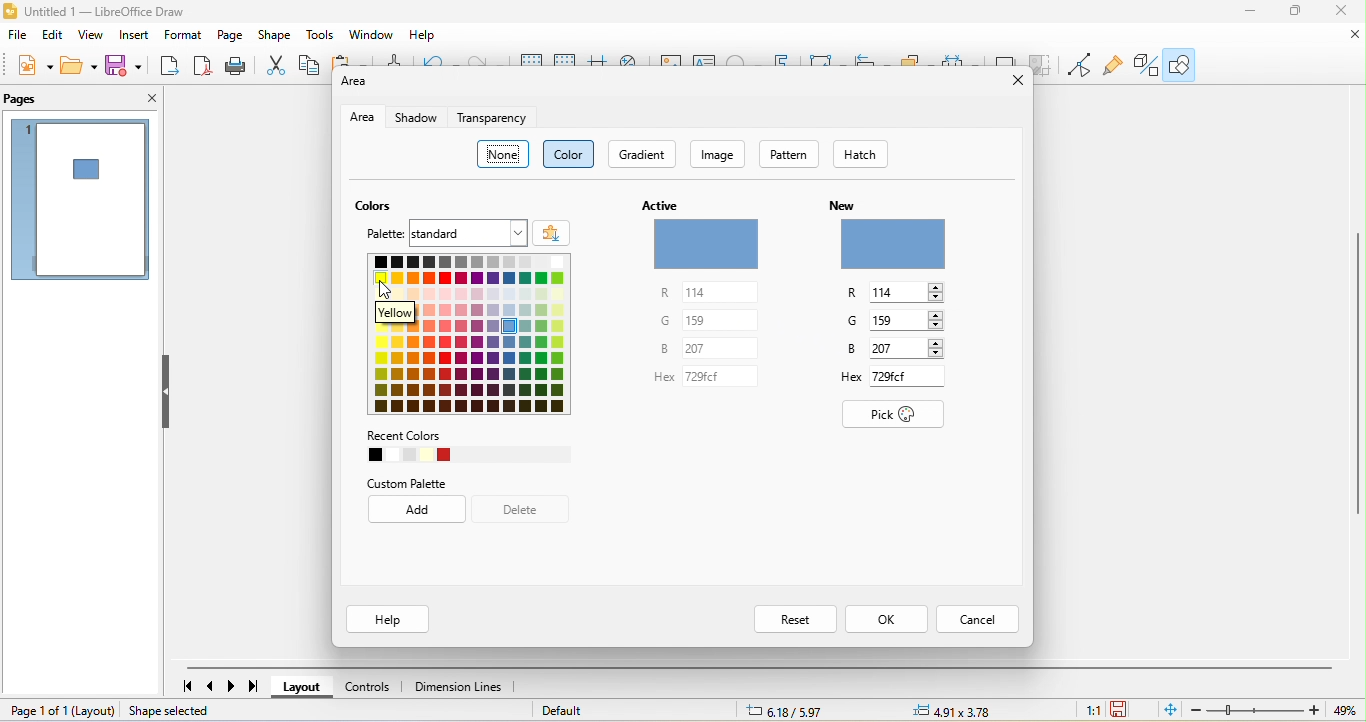  Describe the element at coordinates (320, 37) in the screenshot. I see `tools` at that location.